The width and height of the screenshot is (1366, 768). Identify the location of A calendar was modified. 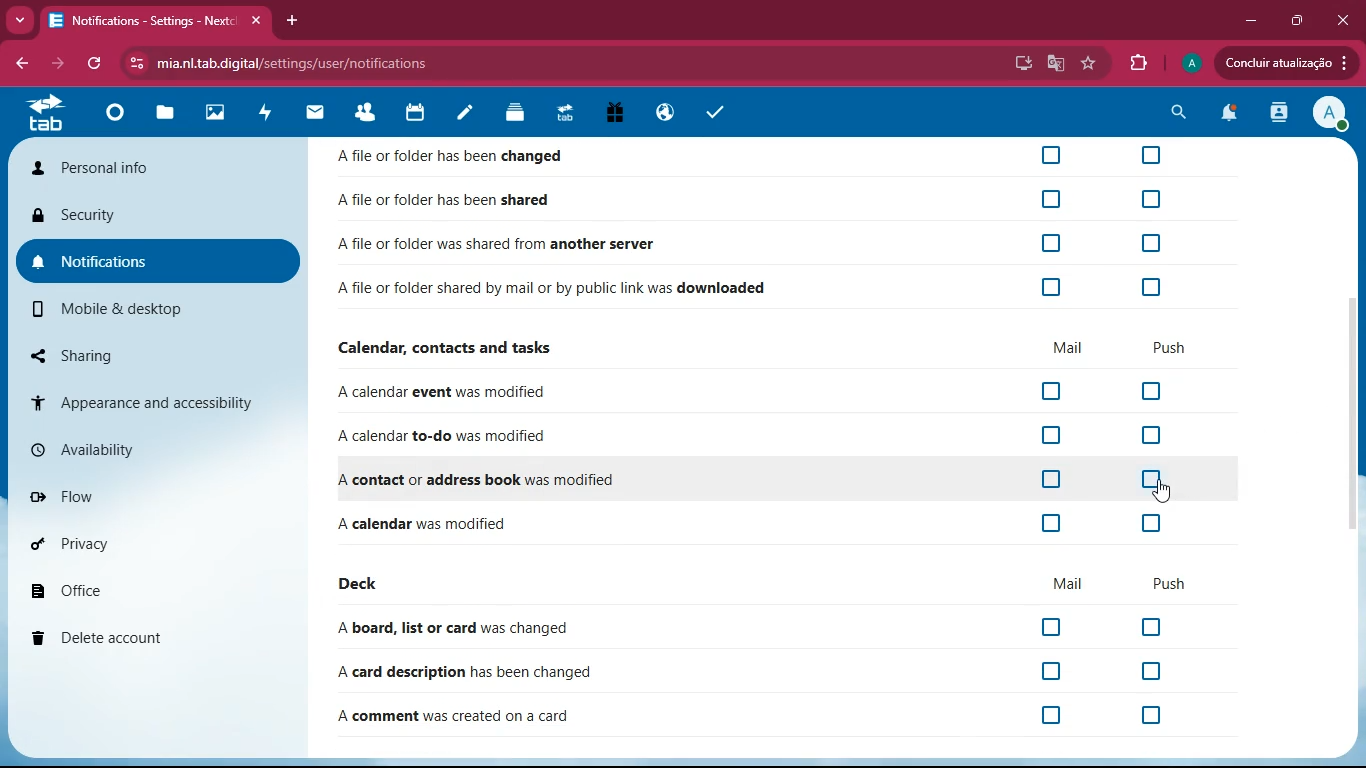
(435, 525).